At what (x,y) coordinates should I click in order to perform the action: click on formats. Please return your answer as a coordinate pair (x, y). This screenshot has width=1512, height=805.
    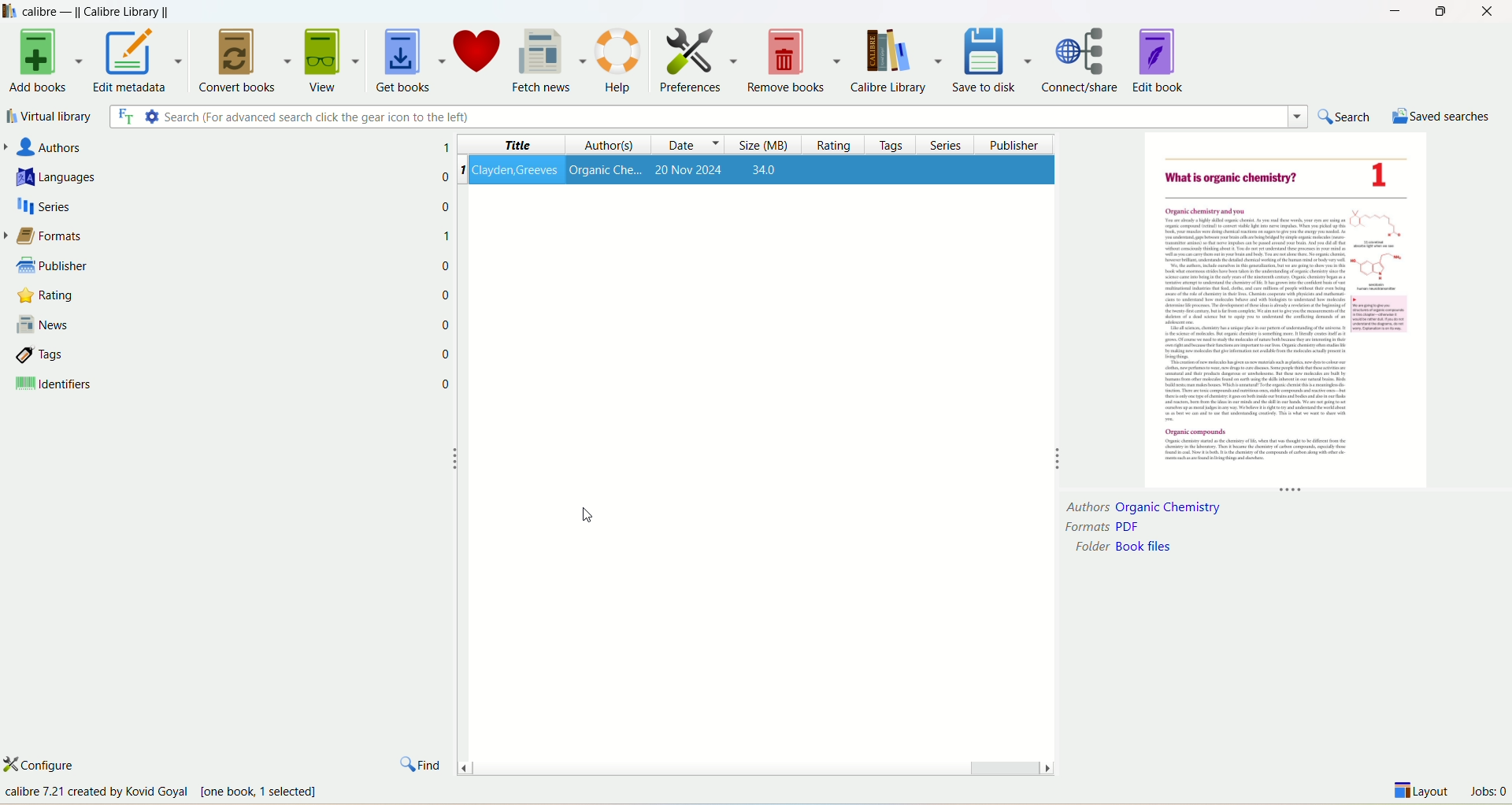
    Looking at the image, I should click on (1102, 525).